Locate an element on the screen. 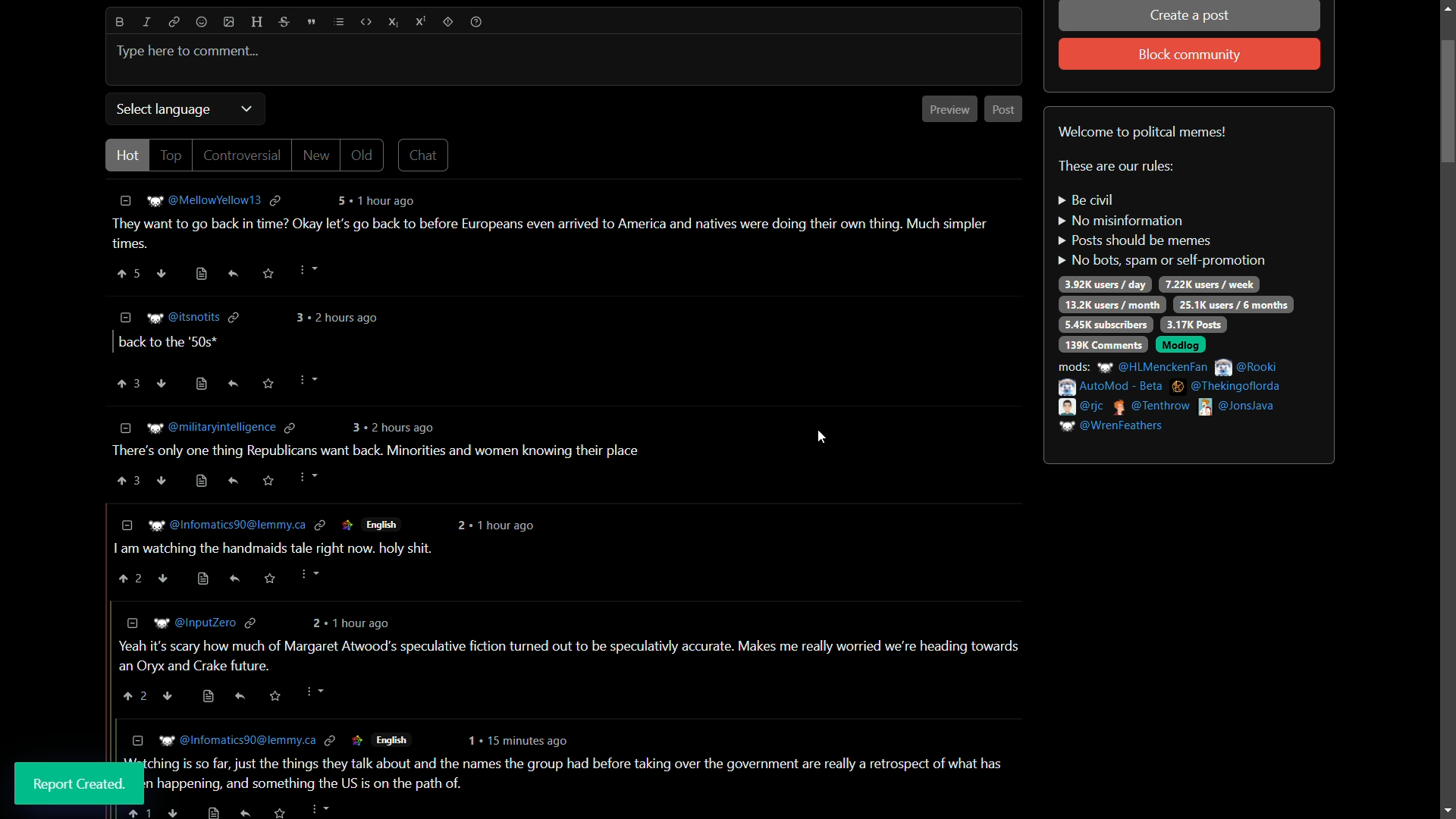 This screenshot has width=1456, height=819. text is located at coordinates (1116, 167).